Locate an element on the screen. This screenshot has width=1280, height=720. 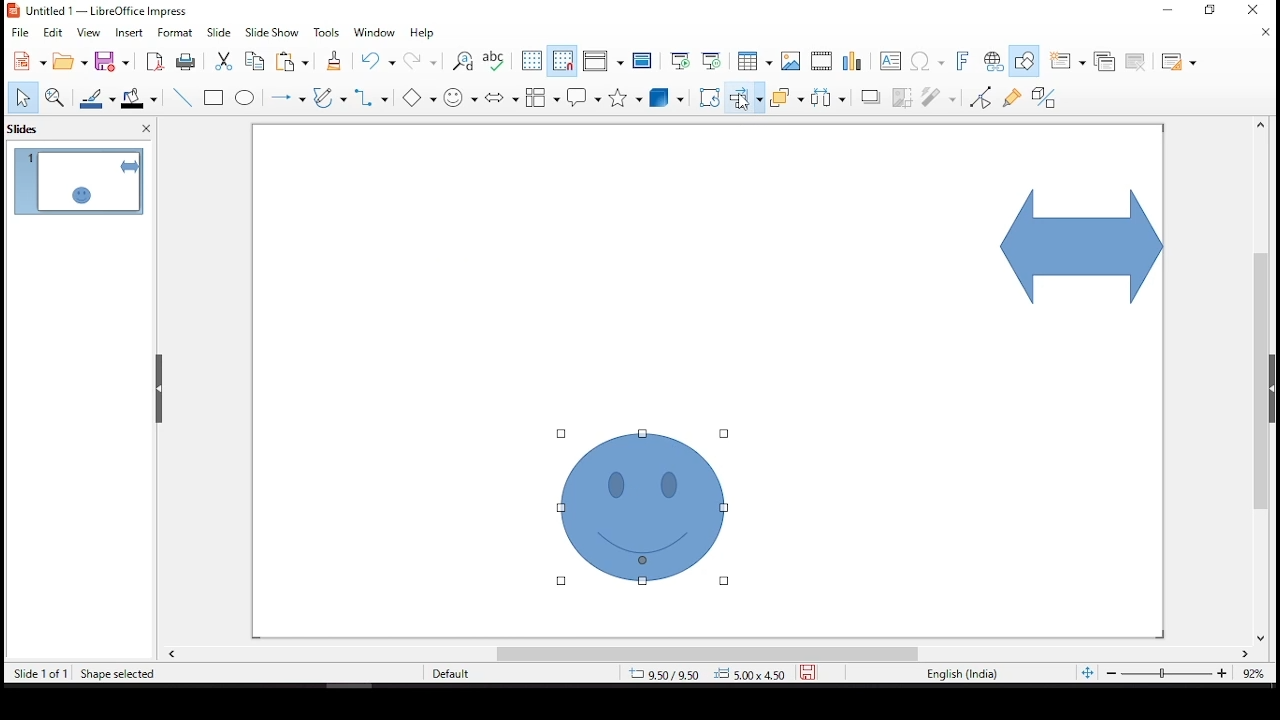
insert hyperlink is located at coordinates (994, 63).